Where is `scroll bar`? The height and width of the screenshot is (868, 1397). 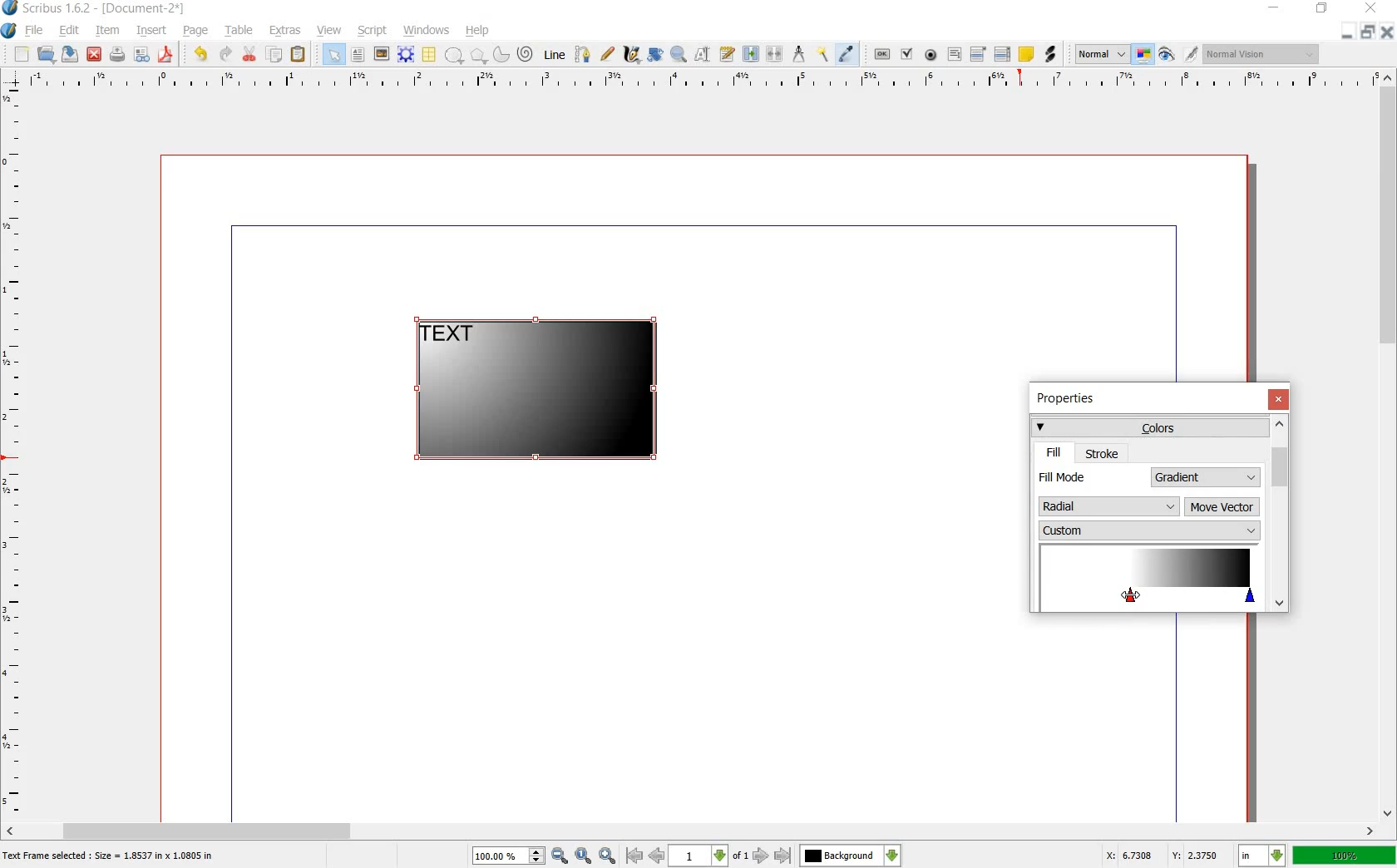
scroll bar is located at coordinates (692, 830).